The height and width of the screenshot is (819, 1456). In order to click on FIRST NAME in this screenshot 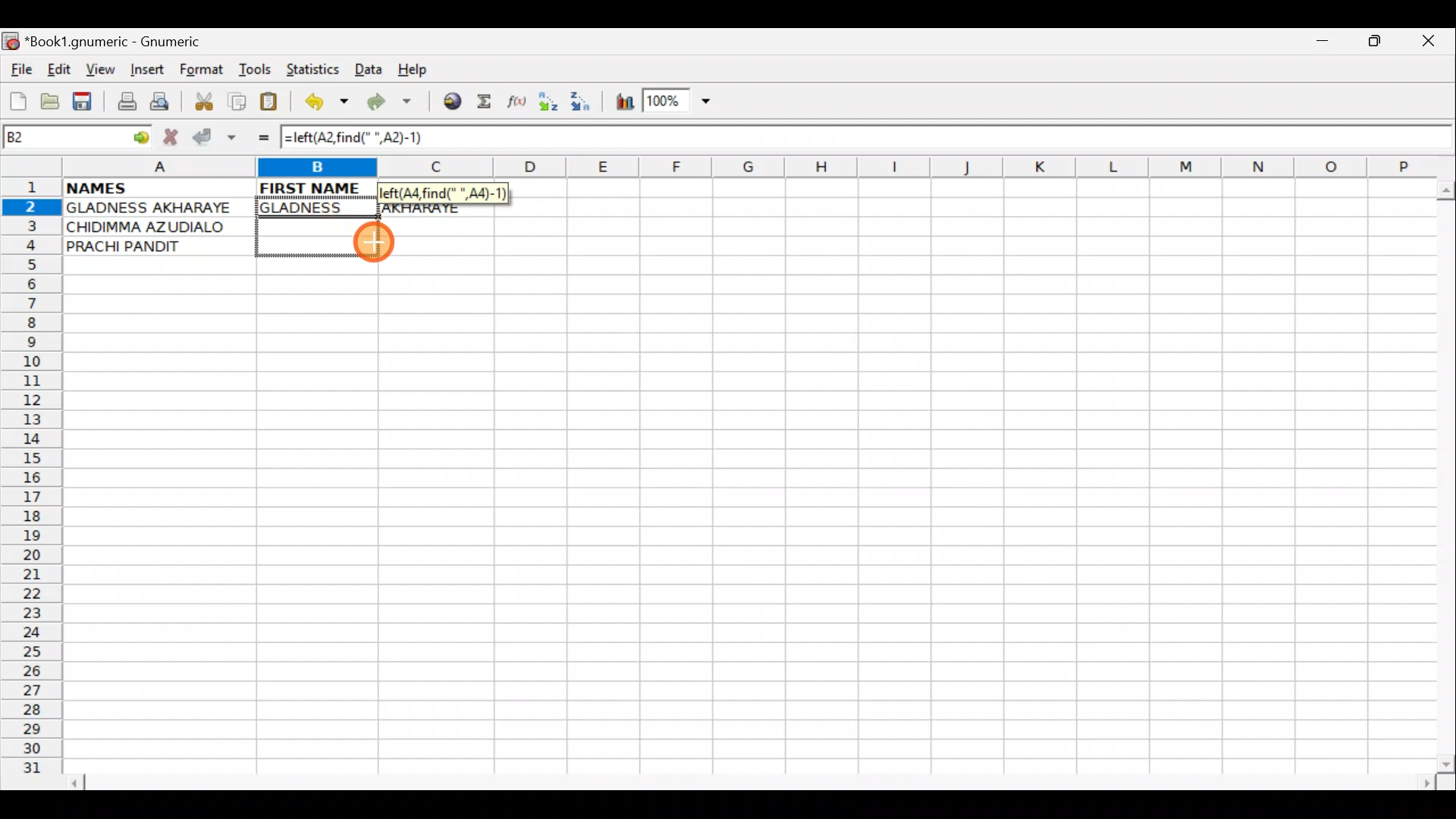, I will do `click(312, 187)`.